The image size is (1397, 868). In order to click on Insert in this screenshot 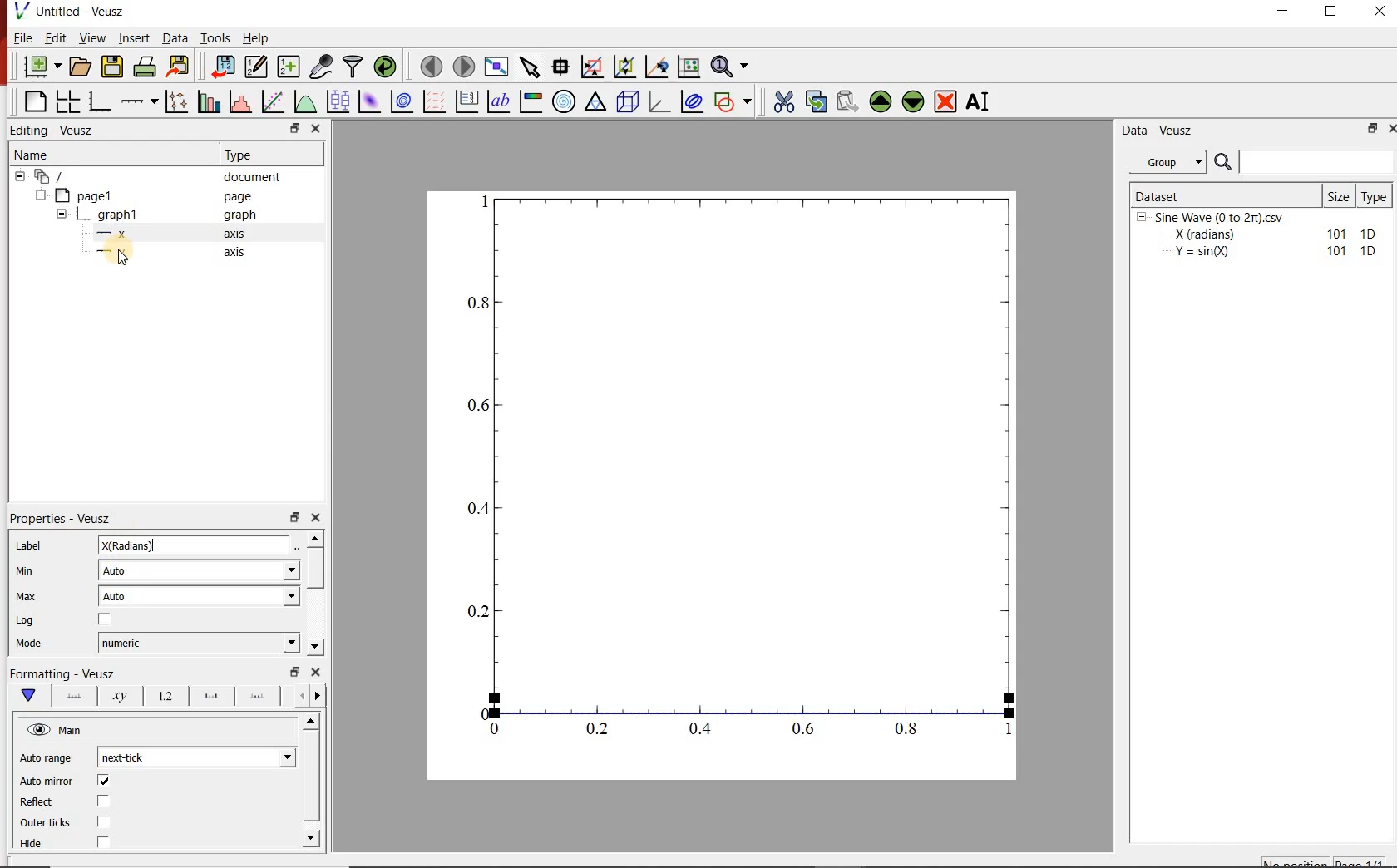, I will do `click(135, 37)`.